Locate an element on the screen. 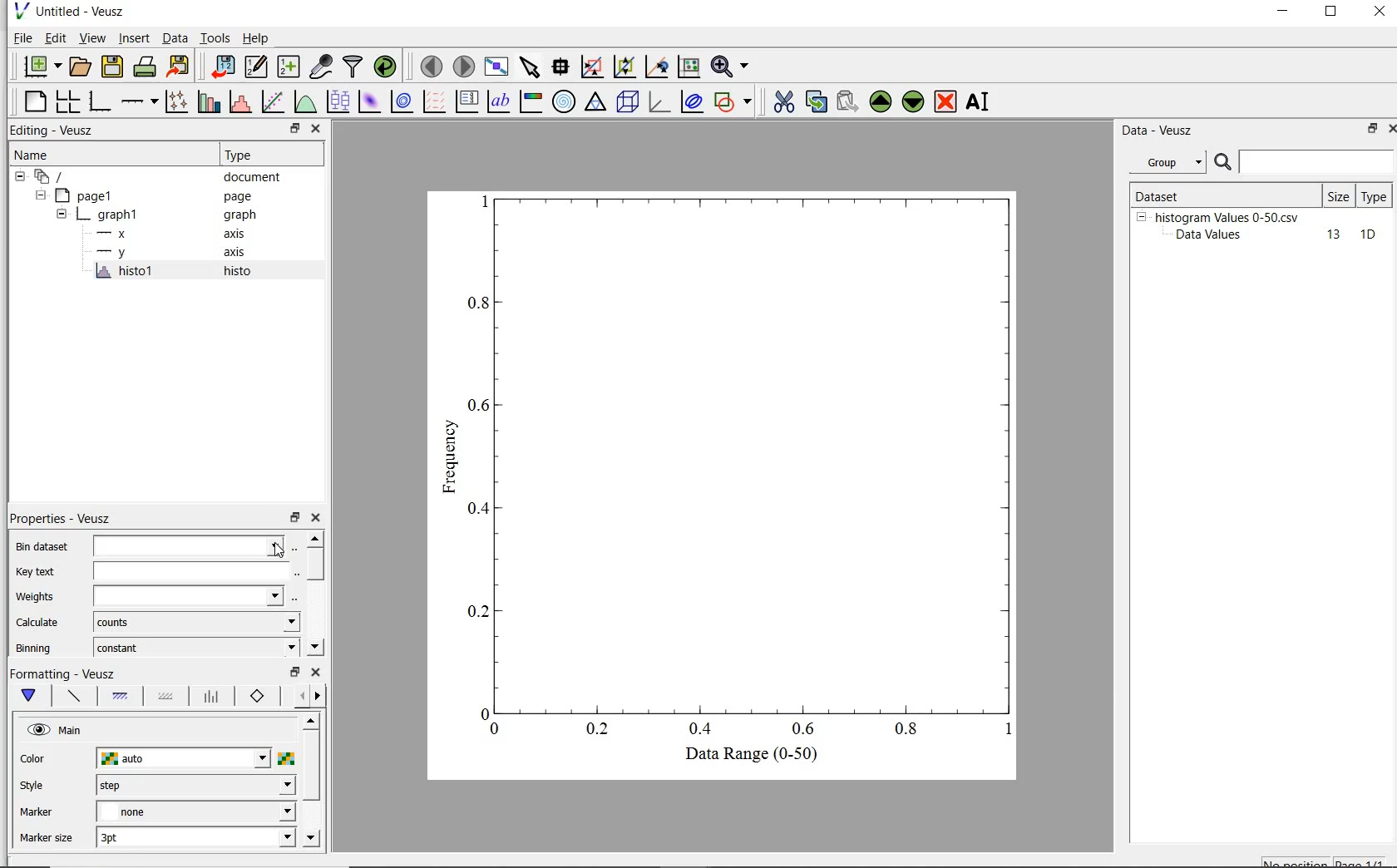 Image resolution: width=1397 pixels, height=868 pixels. 10 is located at coordinates (1368, 235).